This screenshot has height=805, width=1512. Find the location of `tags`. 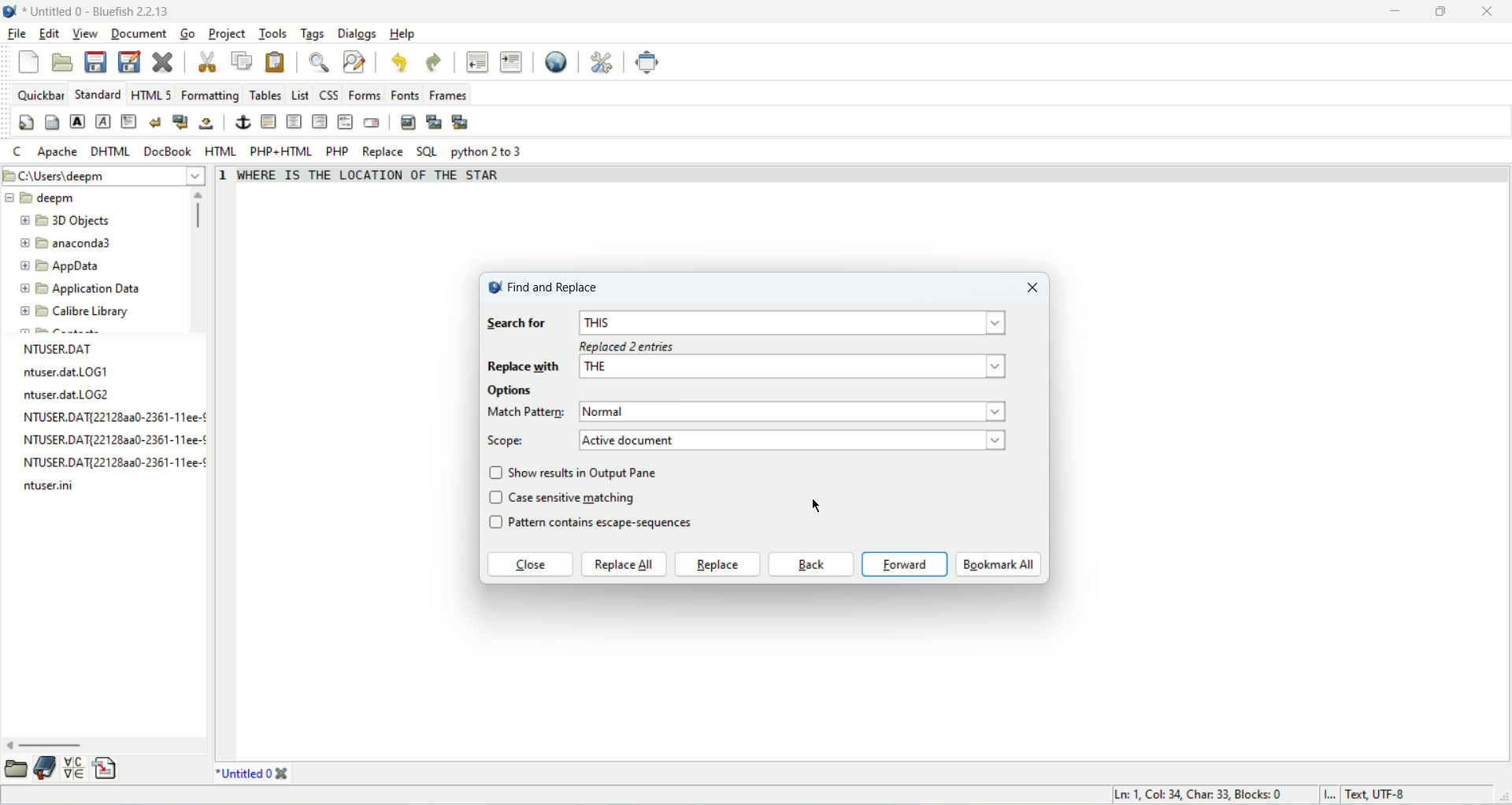

tags is located at coordinates (310, 34).